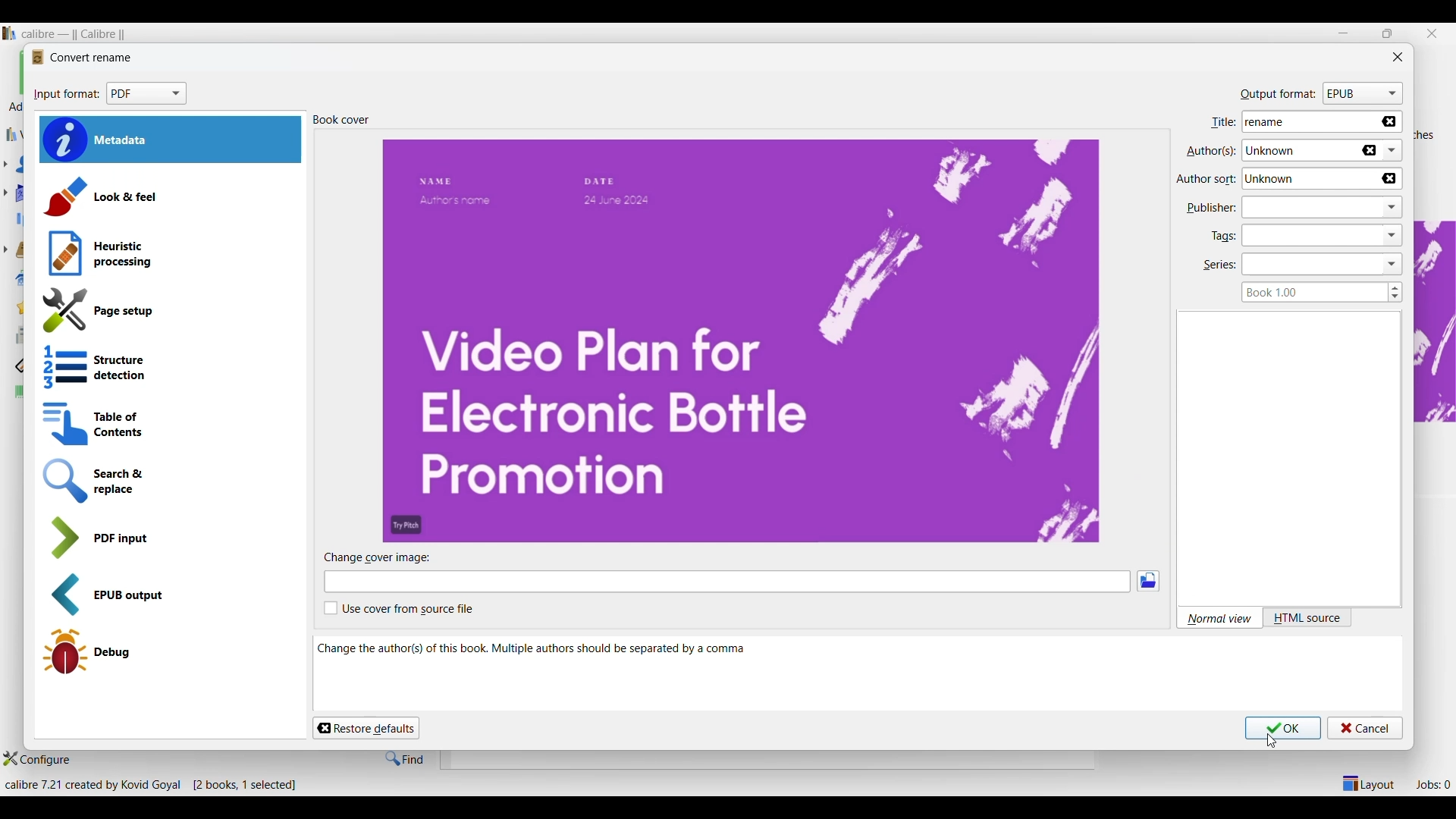 This screenshot has height=819, width=1456. What do you see at coordinates (1395, 293) in the screenshot?
I see `Increase/Decrease book` at bounding box center [1395, 293].